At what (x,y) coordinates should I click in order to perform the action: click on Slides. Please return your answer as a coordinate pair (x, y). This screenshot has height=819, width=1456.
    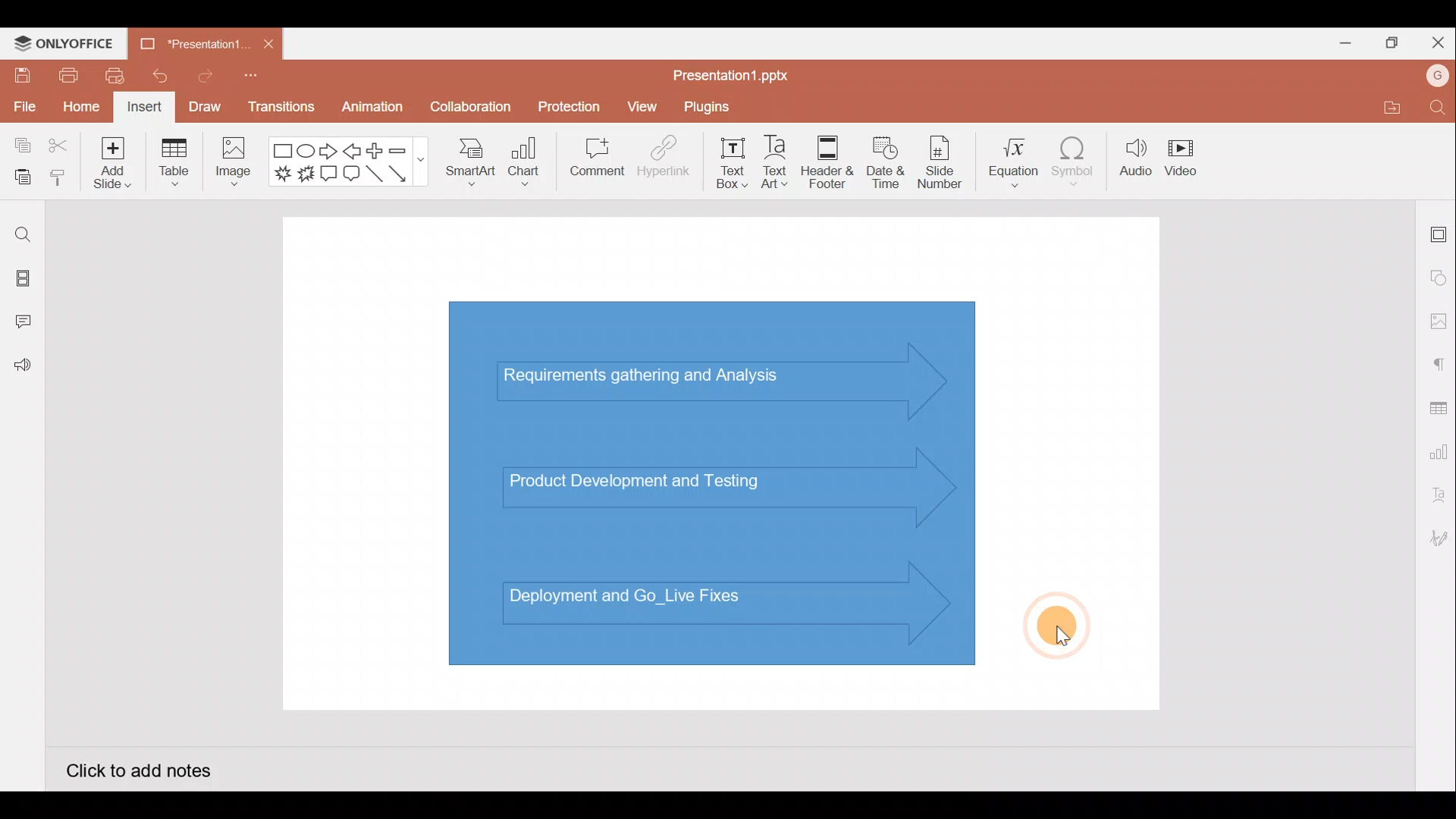
    Looking at the image, I should click on (21, 281).